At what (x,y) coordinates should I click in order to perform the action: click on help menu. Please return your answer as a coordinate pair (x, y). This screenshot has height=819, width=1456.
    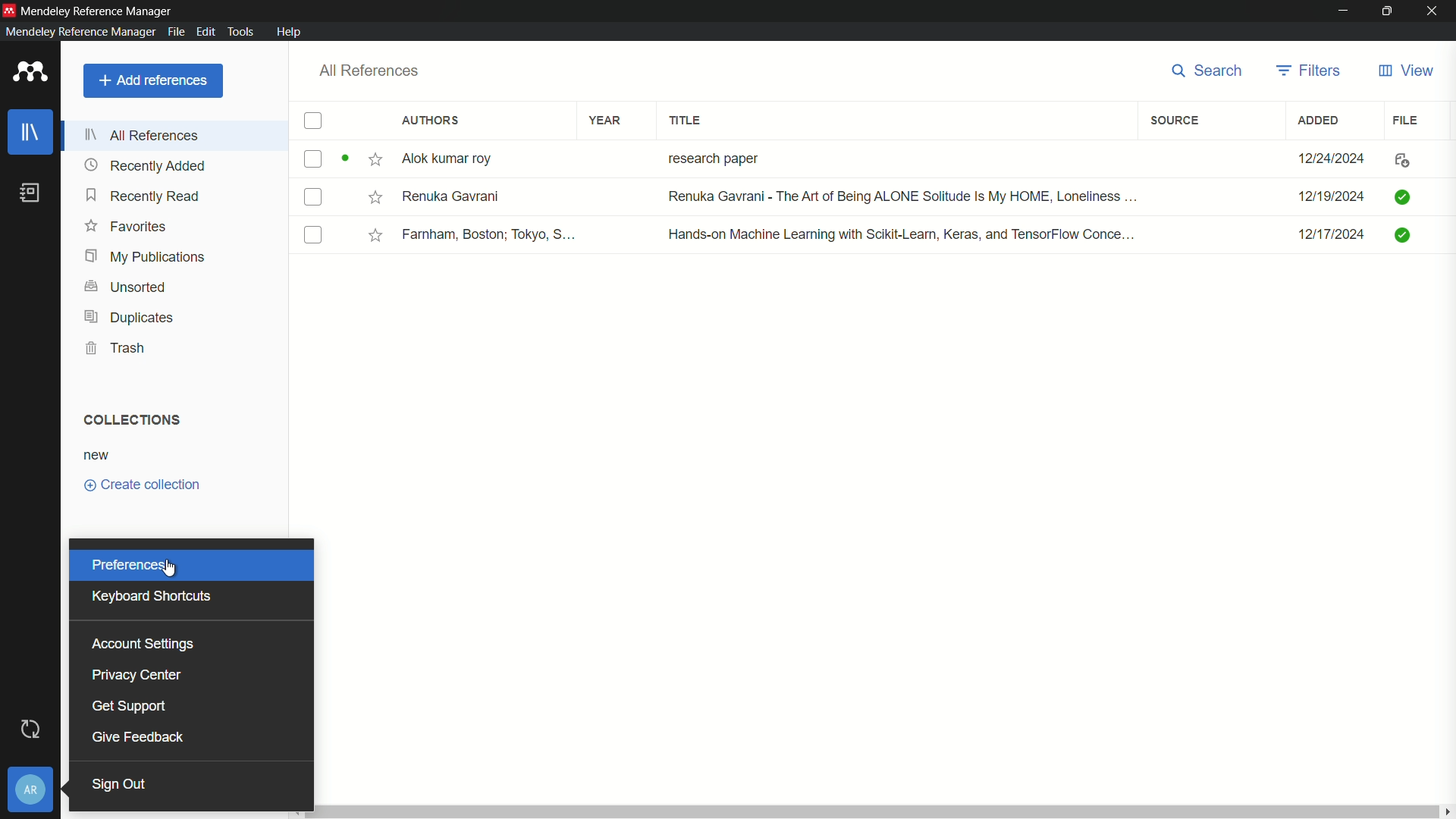
    Looking at the image, I should click on (288, 32).